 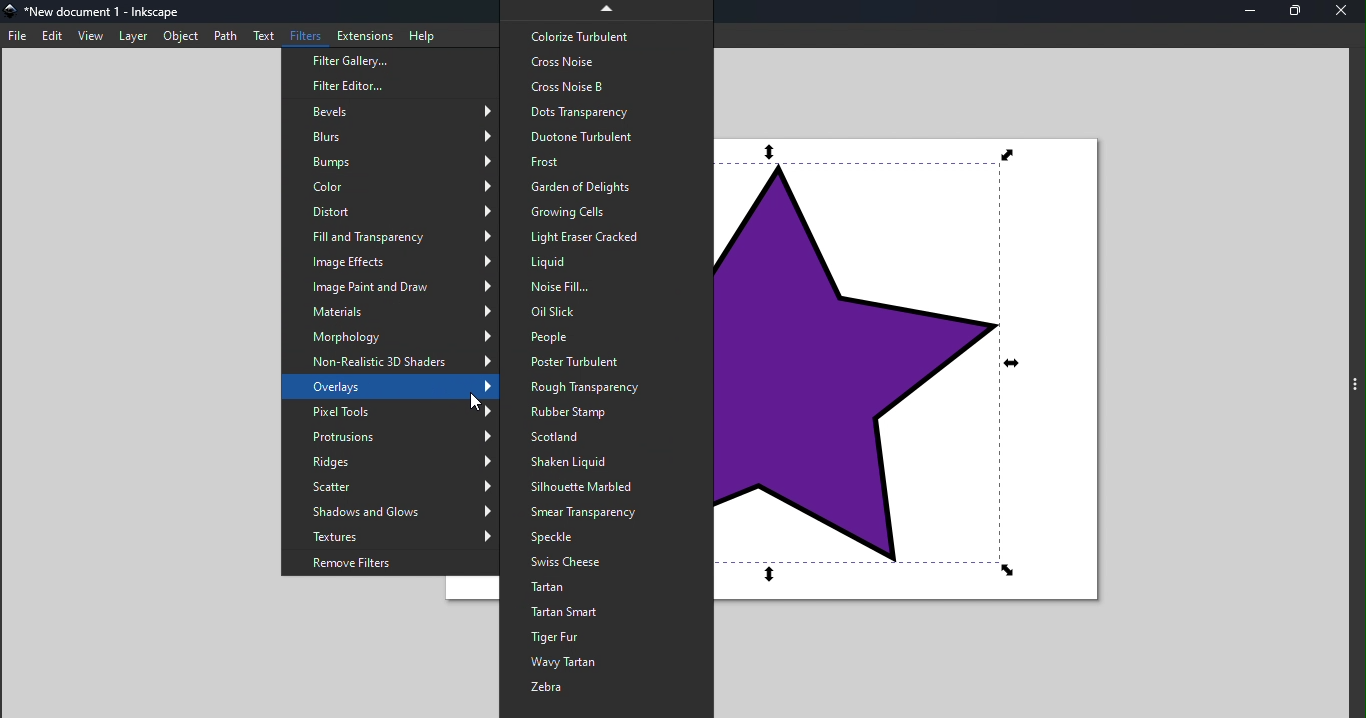 I want to click on file, so click(x=17, y=36).